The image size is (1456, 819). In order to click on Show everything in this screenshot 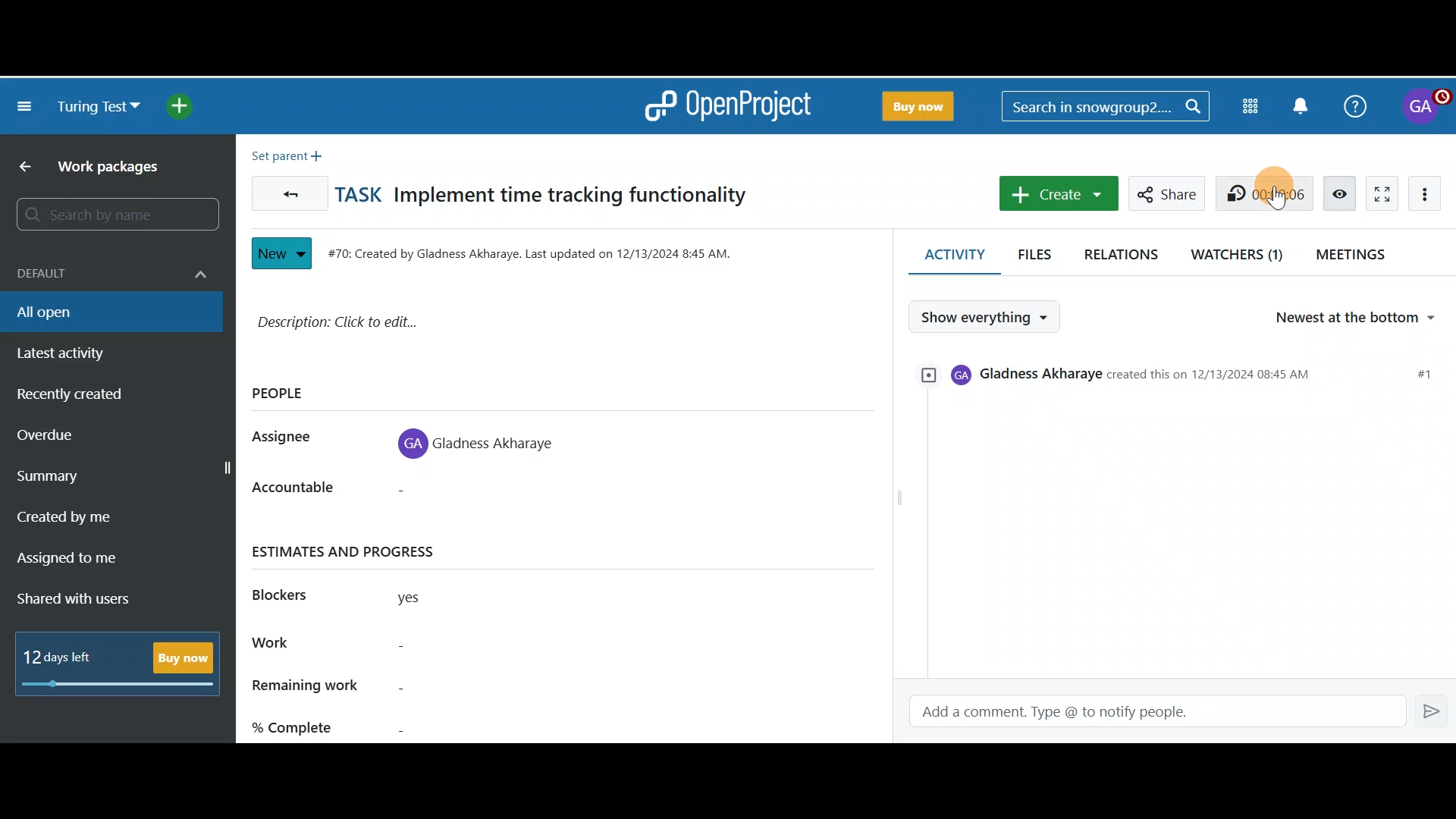, I will do `click(989, 317)`.